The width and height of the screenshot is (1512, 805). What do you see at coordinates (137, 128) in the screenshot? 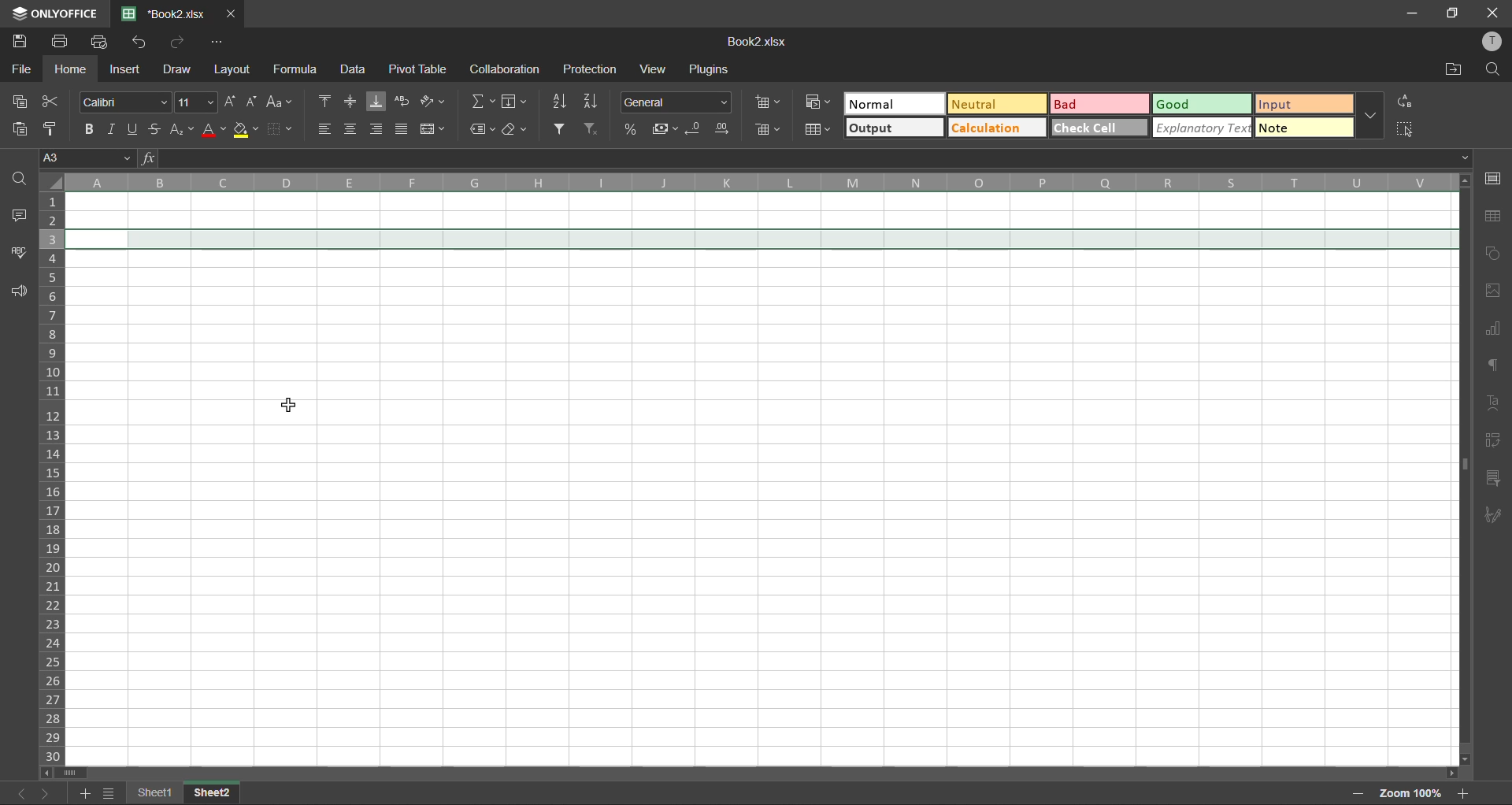
I see `underline` at bounding box center [137, 128].